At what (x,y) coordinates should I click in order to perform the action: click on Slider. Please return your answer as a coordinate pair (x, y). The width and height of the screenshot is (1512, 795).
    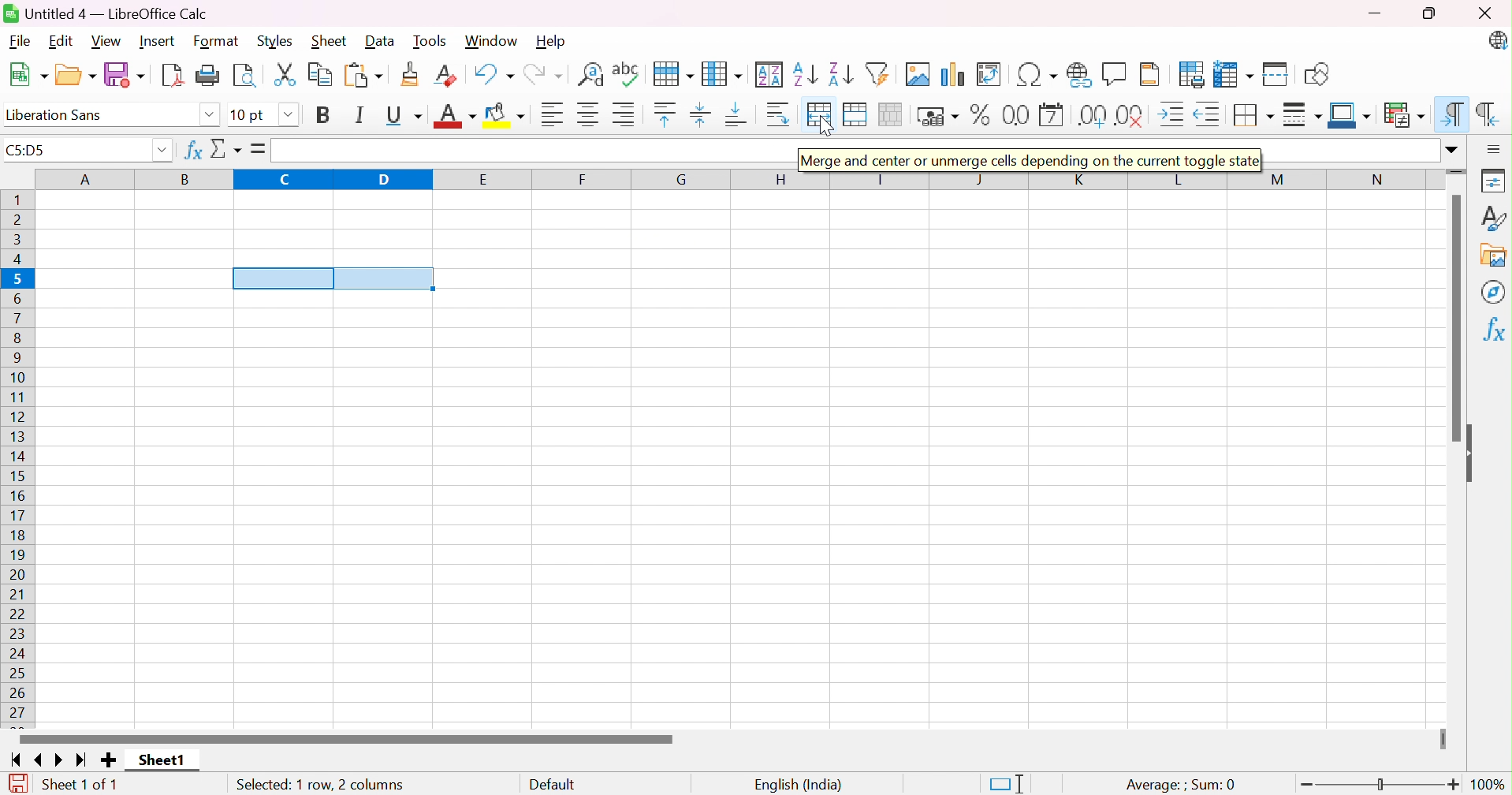
    Looking at the image, I should click on (1443, 740).